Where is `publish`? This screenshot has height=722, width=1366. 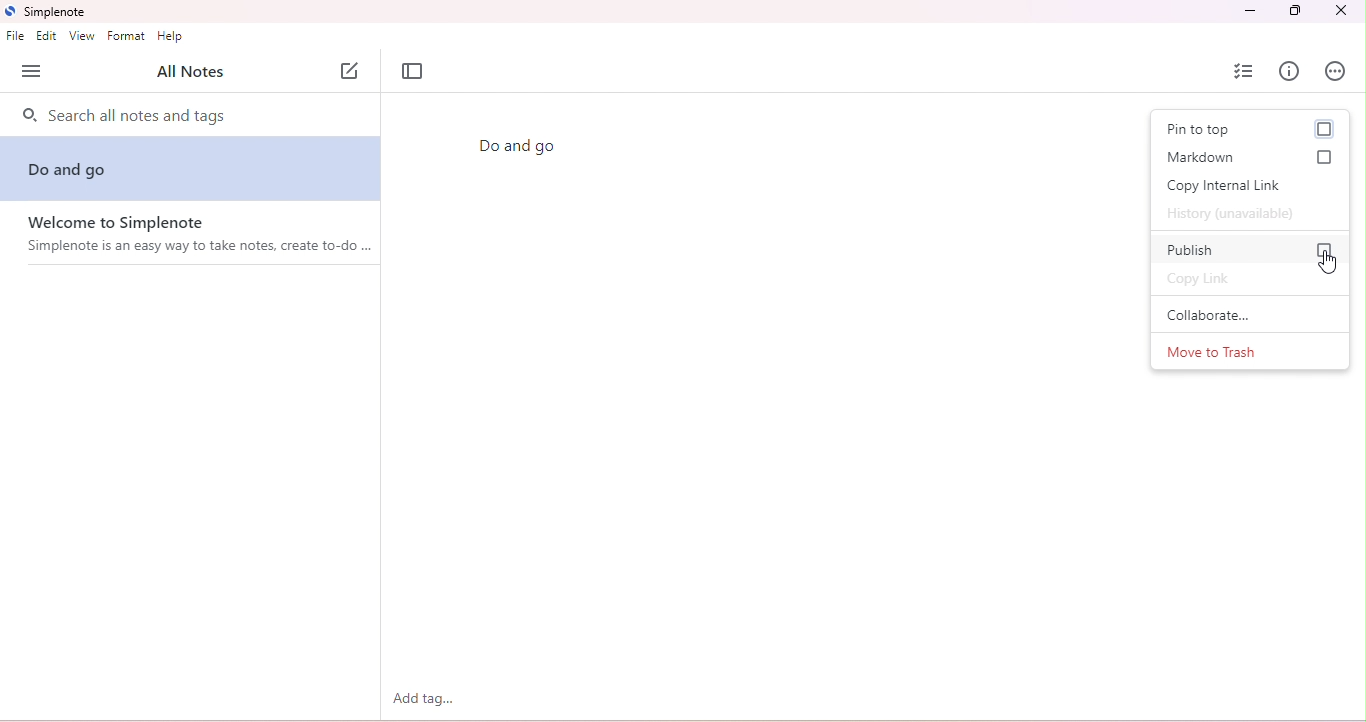 publish is located at coordinates (1199, 249).